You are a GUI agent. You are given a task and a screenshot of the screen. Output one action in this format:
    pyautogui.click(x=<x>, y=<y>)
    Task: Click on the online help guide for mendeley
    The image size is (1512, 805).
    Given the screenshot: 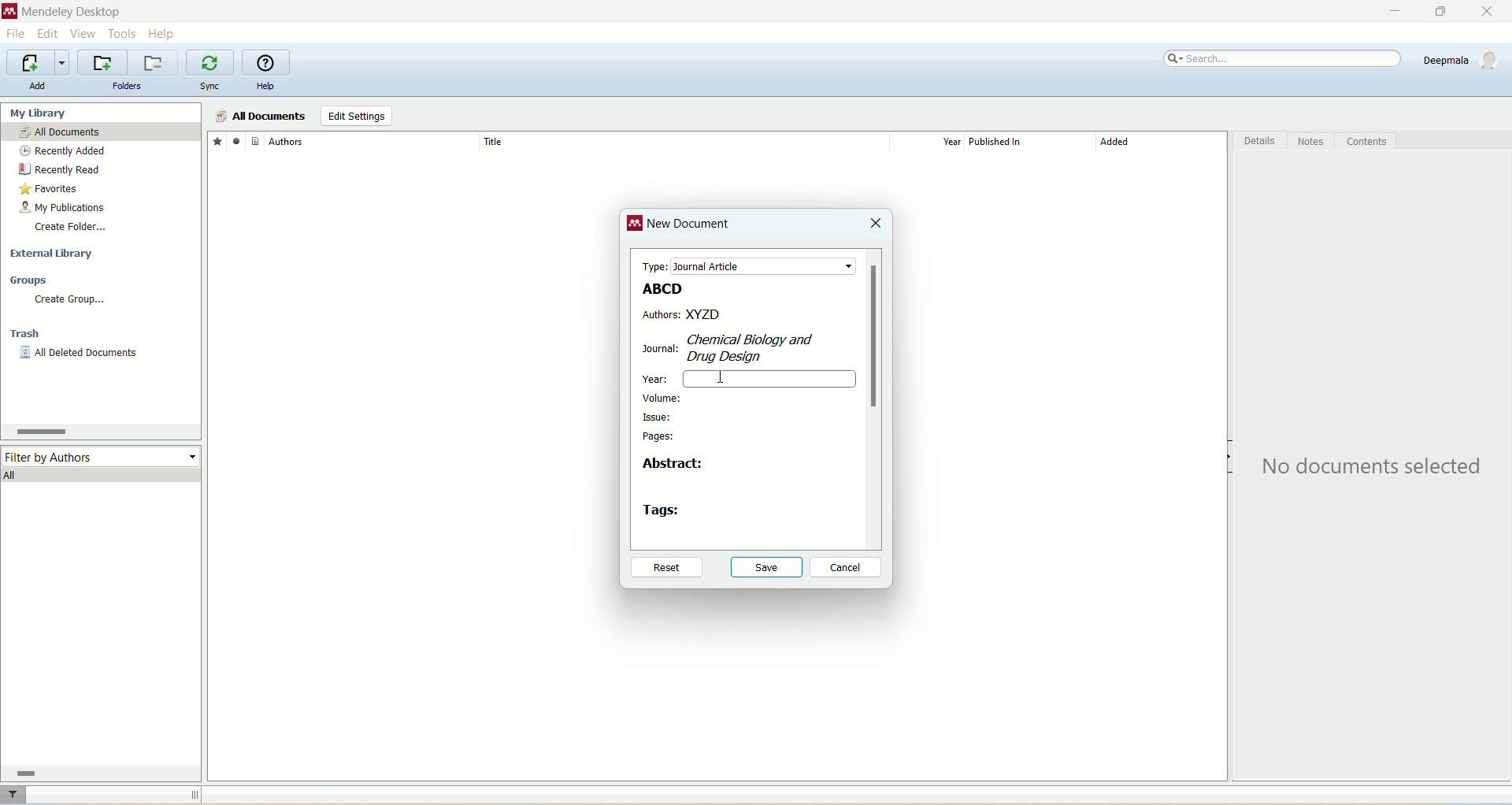 What is the action you would take?
    pyautogui.click(x=267, y=63)
    